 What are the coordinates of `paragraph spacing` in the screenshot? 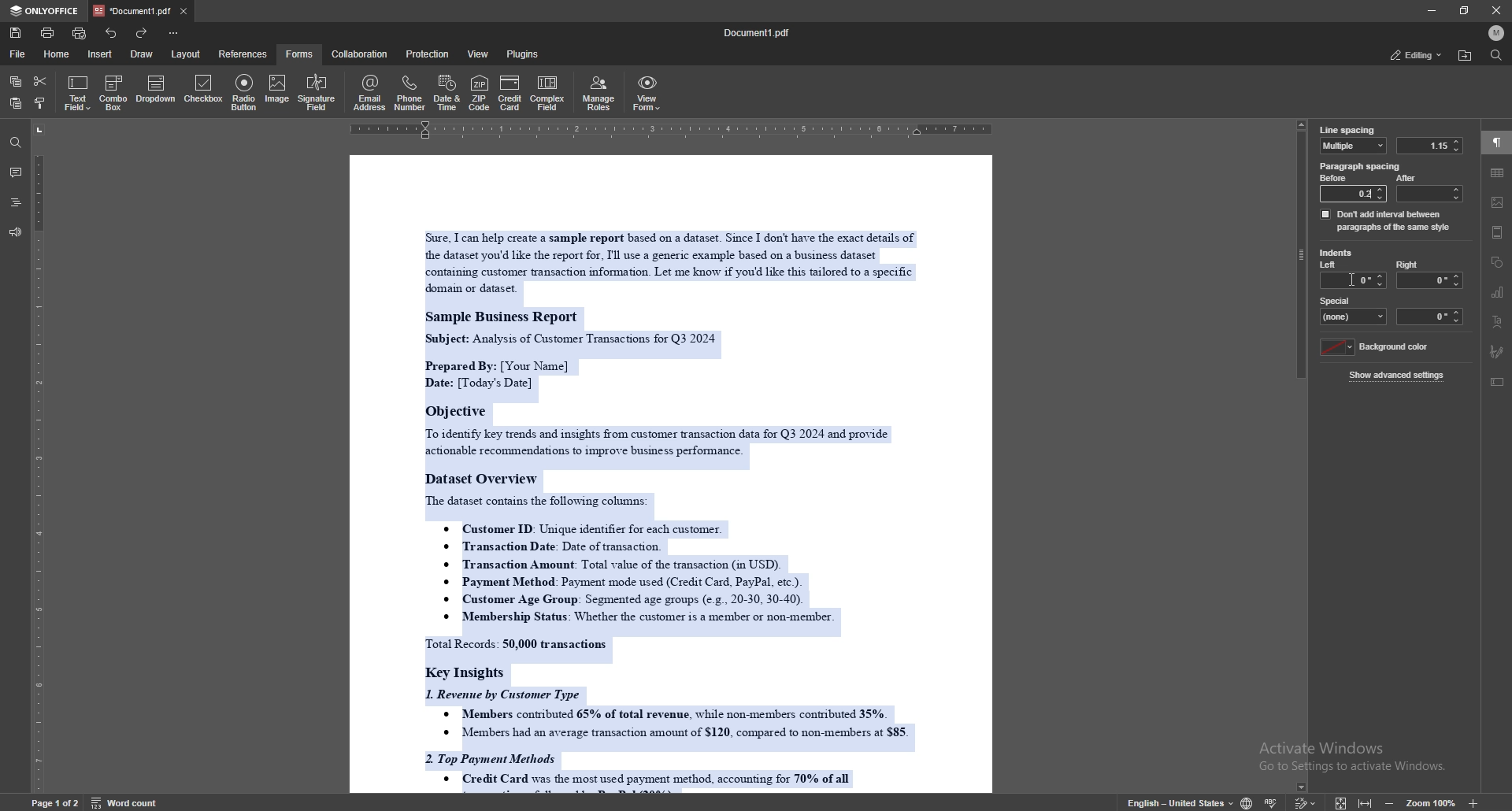 It's located at (1362, 166).